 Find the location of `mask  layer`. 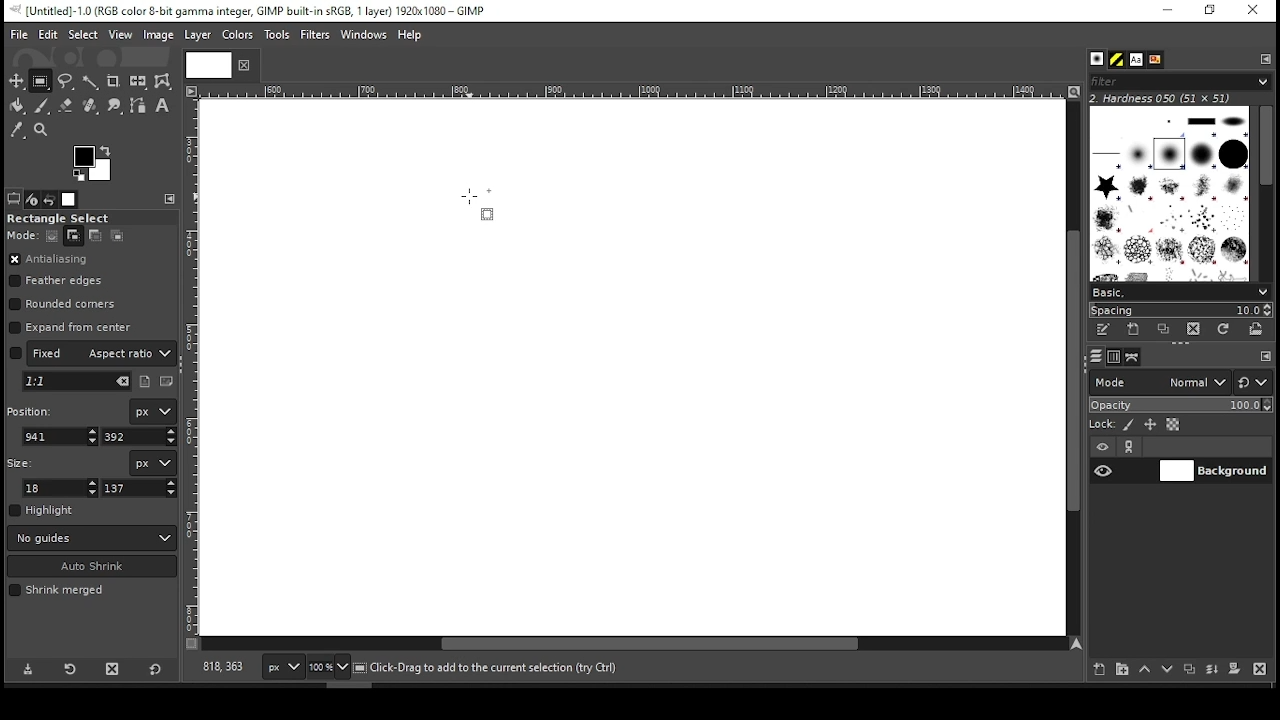

mask  layer is located at coordinates (1234, 670).